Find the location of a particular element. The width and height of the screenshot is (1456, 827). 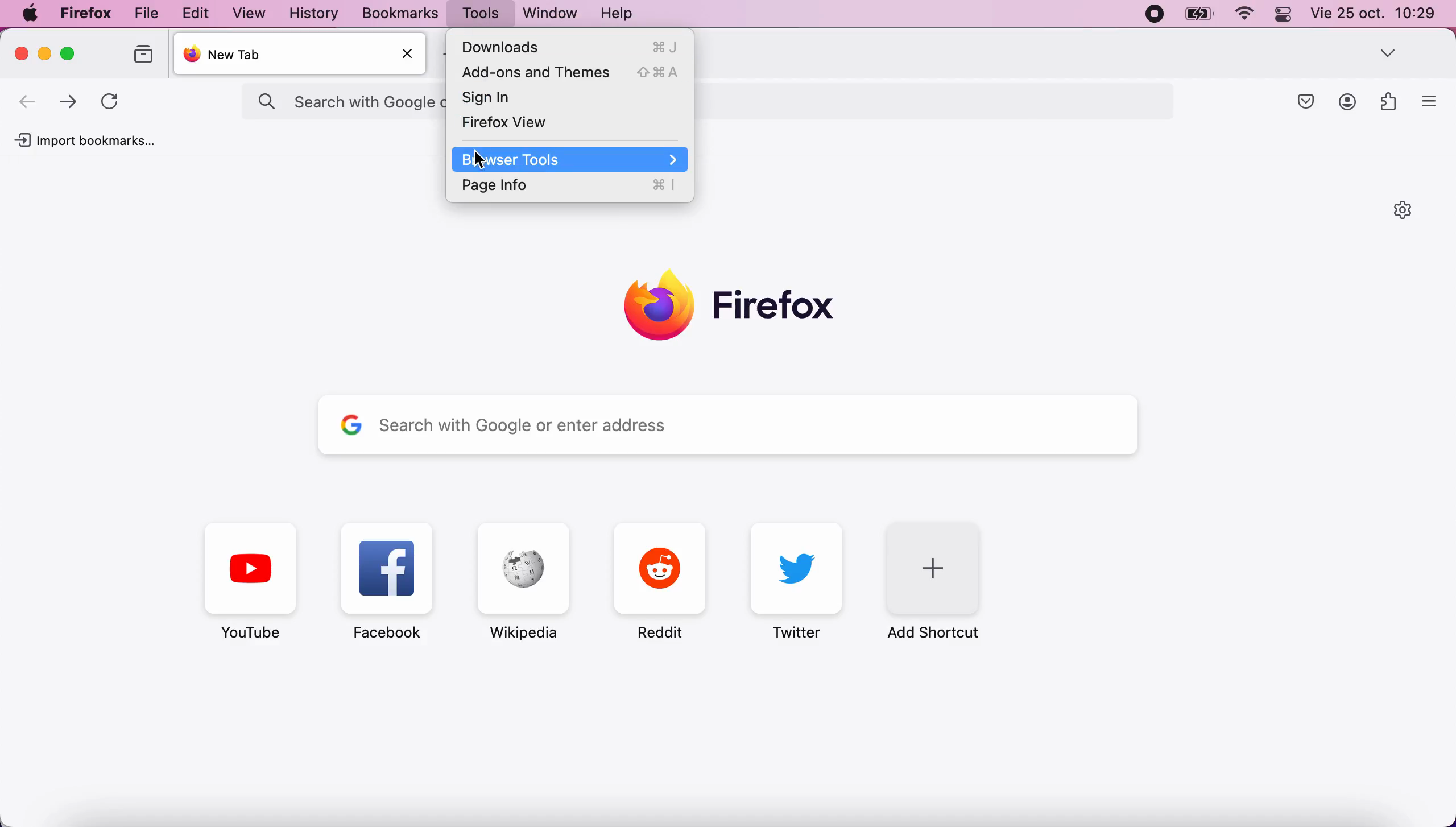

Tools is located at coordinates (480, 13).